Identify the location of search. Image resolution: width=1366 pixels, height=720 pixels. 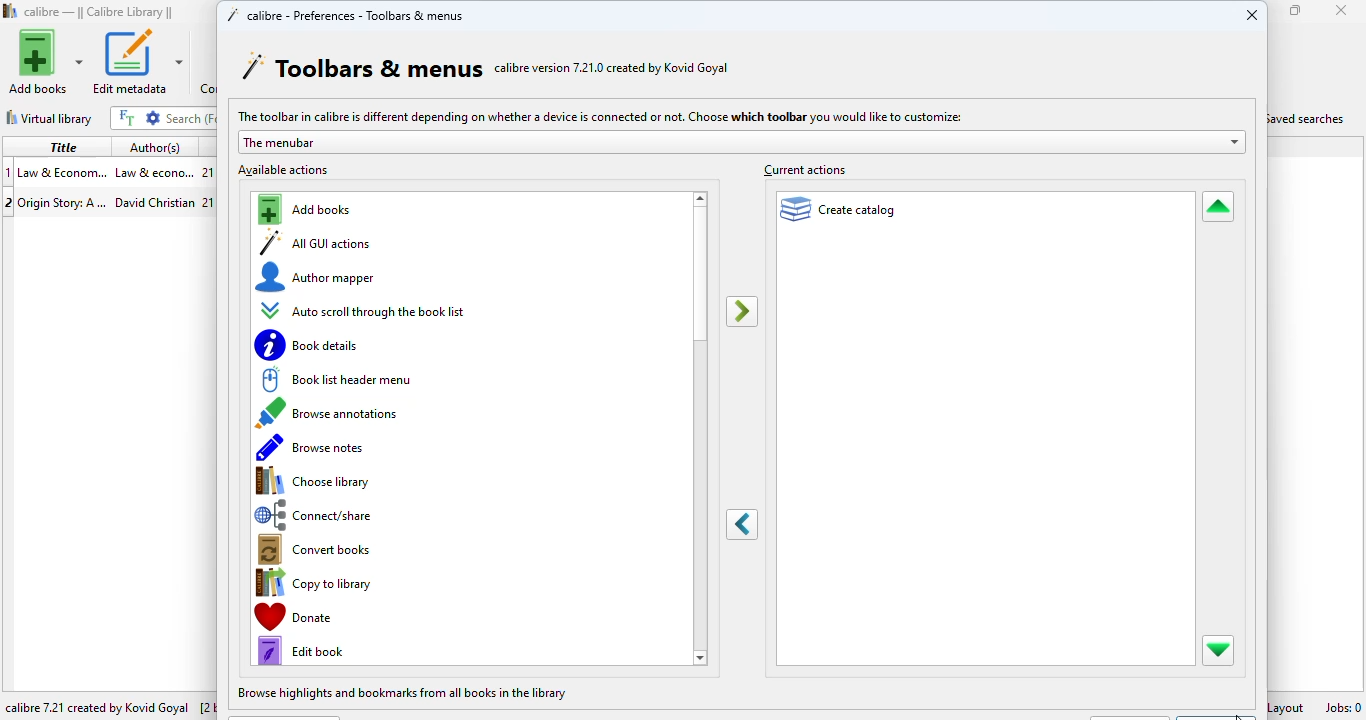
(189, 118).